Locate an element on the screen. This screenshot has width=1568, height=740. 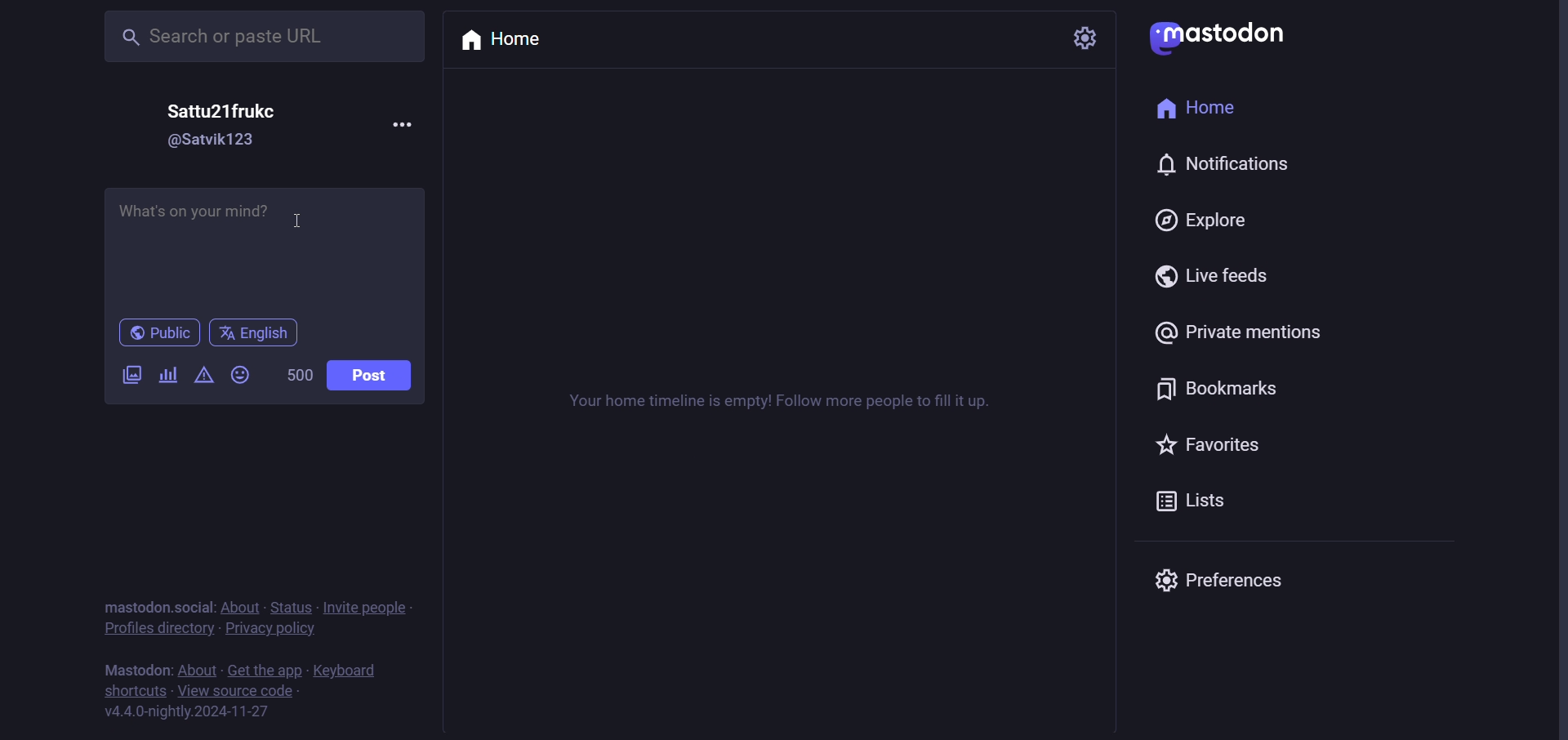
image/video is located at coordinates (129, 375).